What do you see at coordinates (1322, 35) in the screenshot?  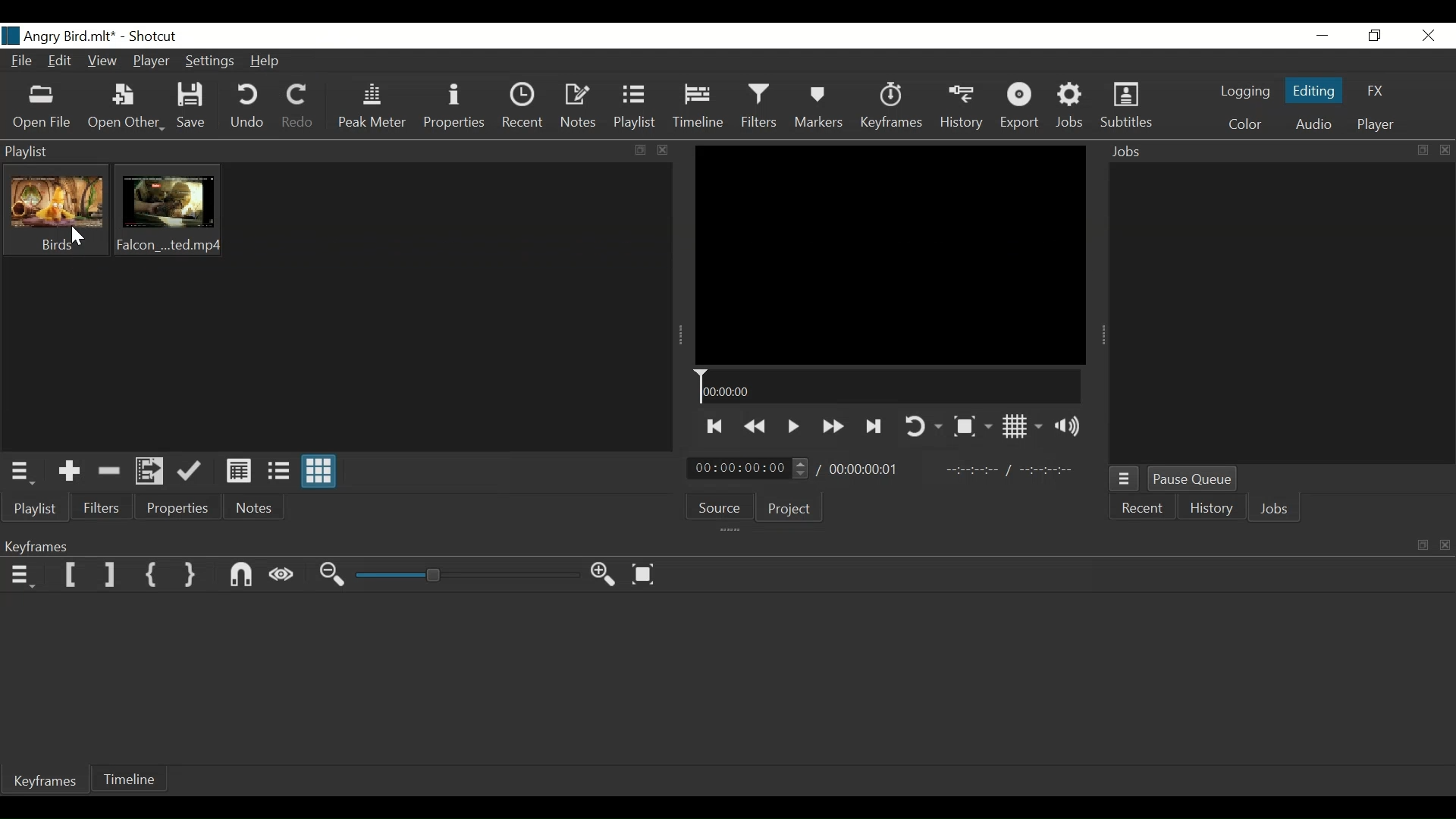 I see `Minimize` at bounding box center [1322, 35].